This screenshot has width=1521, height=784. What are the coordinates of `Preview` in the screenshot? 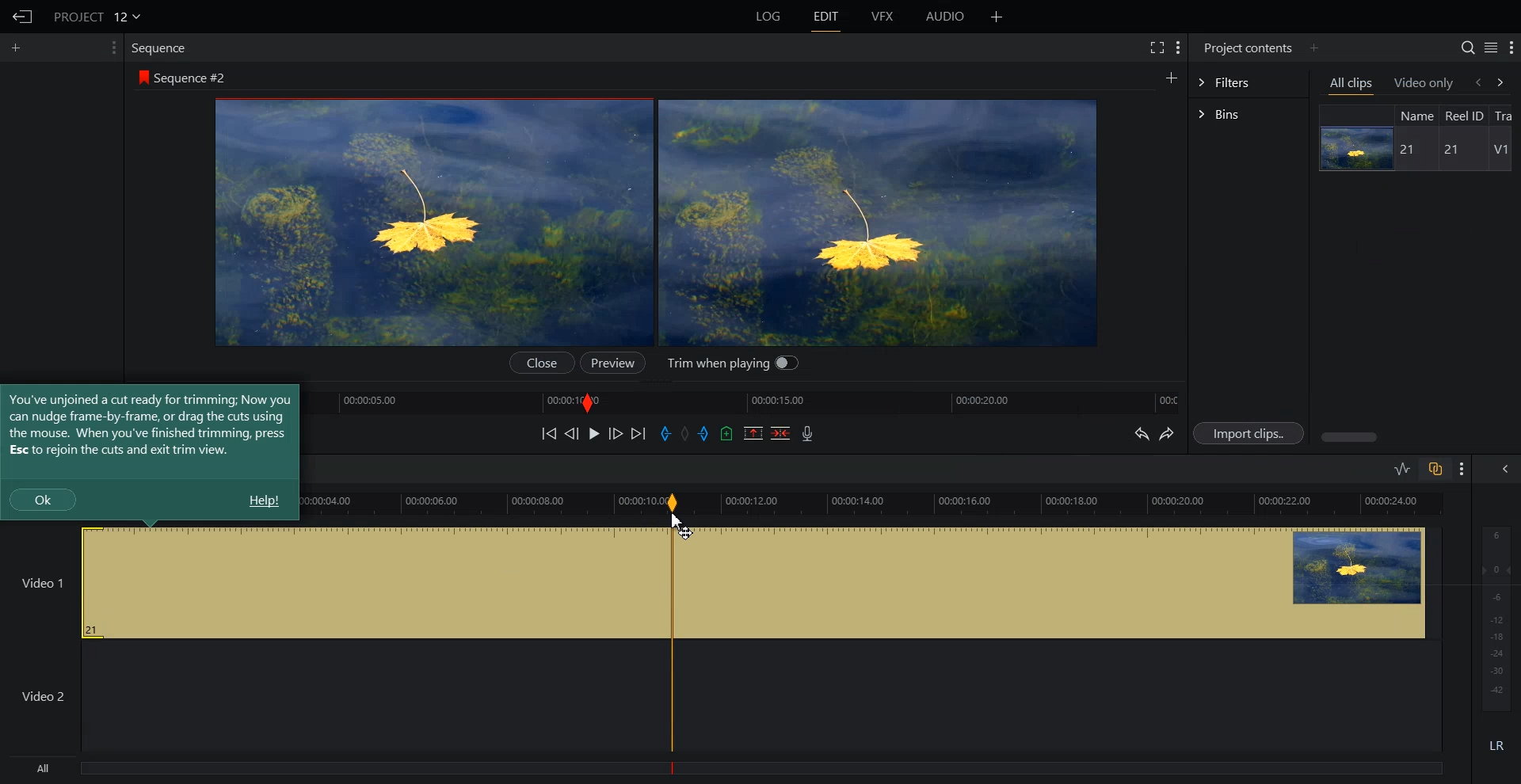 It's located at (611, 363).